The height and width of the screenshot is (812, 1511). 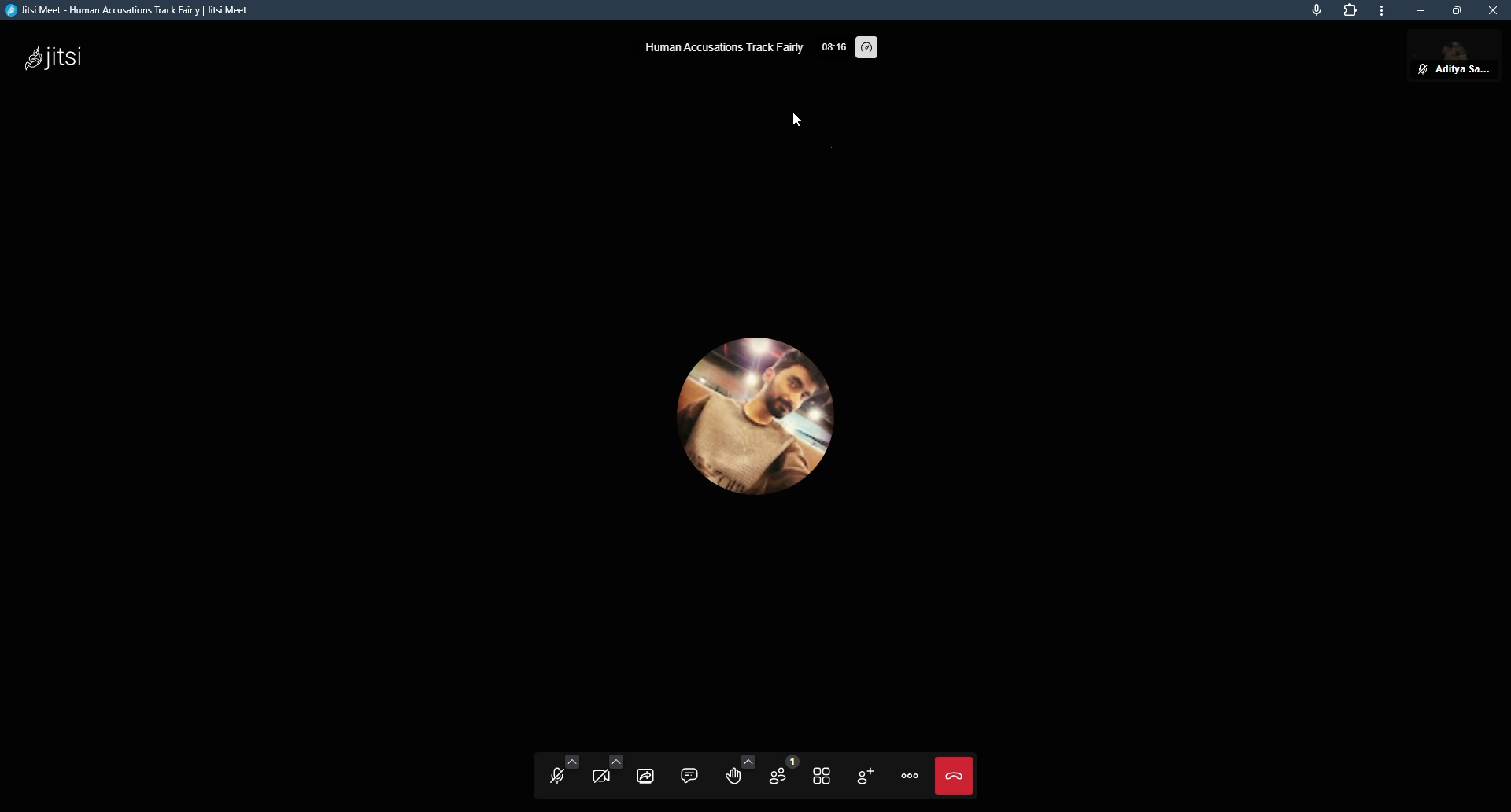 What do you see at coordinates (955, 772) in the screenshot?
I see `leave meet` at bounding box center [955, 772].